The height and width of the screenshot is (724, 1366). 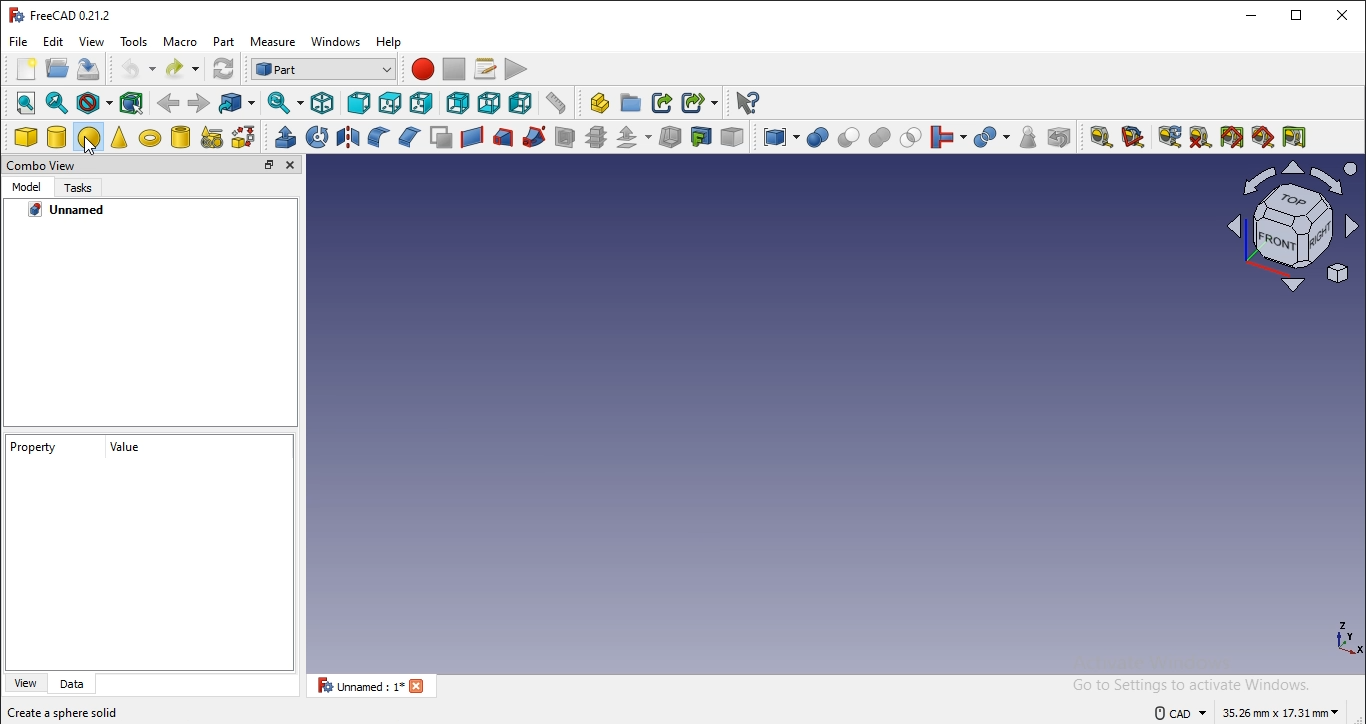 What do you see at coordinates (68, 210) in the screenshot?
I see `unnamed` at bounding box center [68, 210].